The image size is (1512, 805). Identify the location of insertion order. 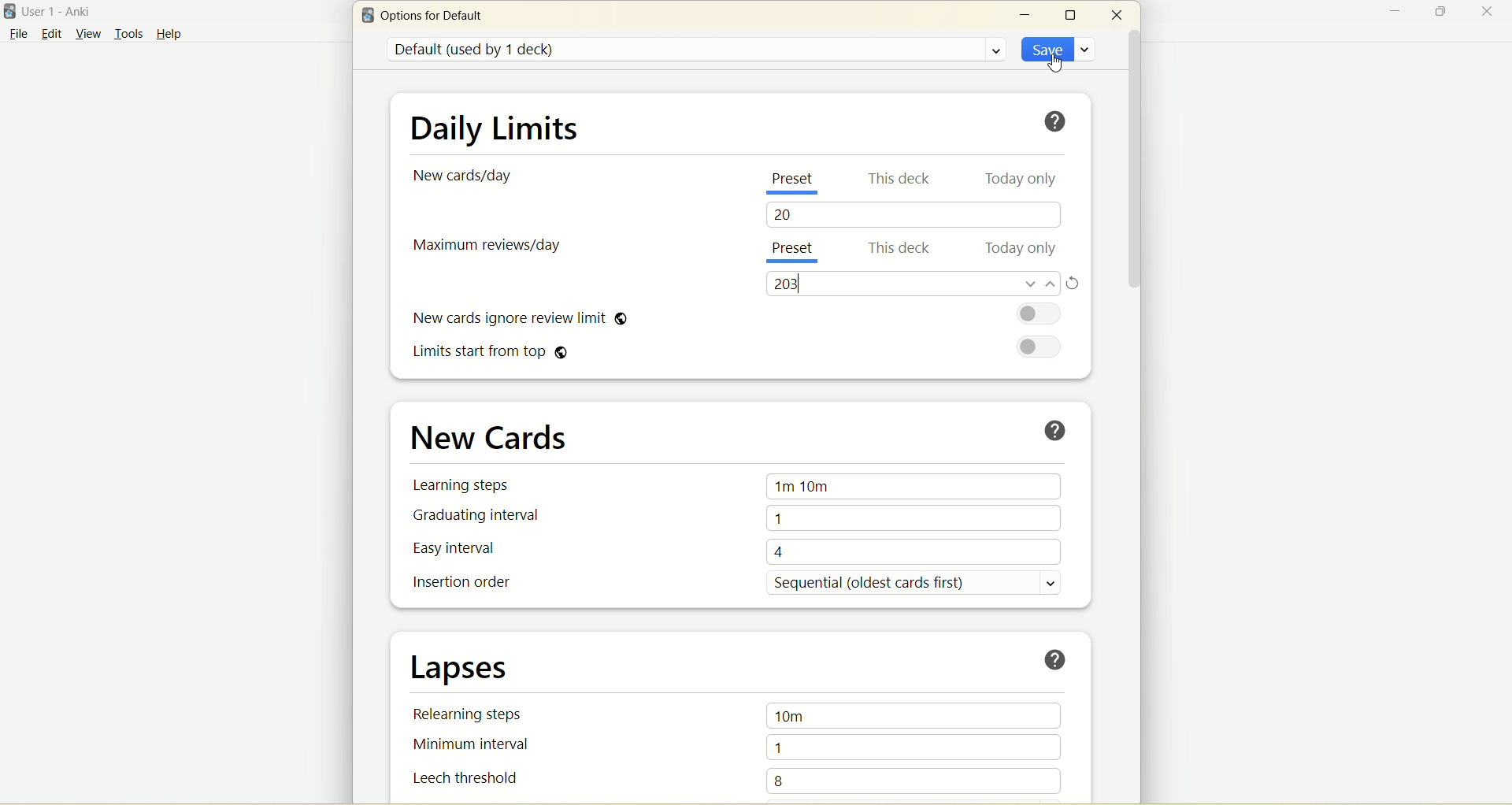
(461, 583).